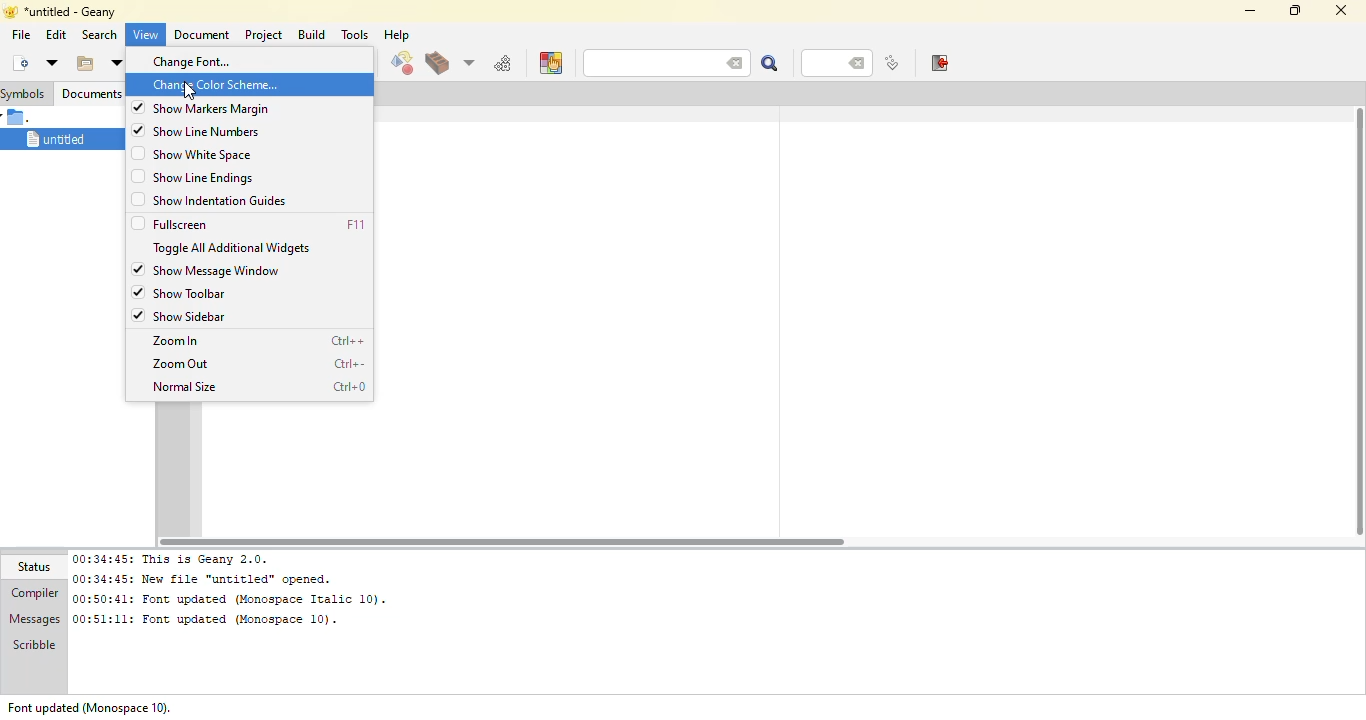  I want to click on show white space, so click(205, 155).